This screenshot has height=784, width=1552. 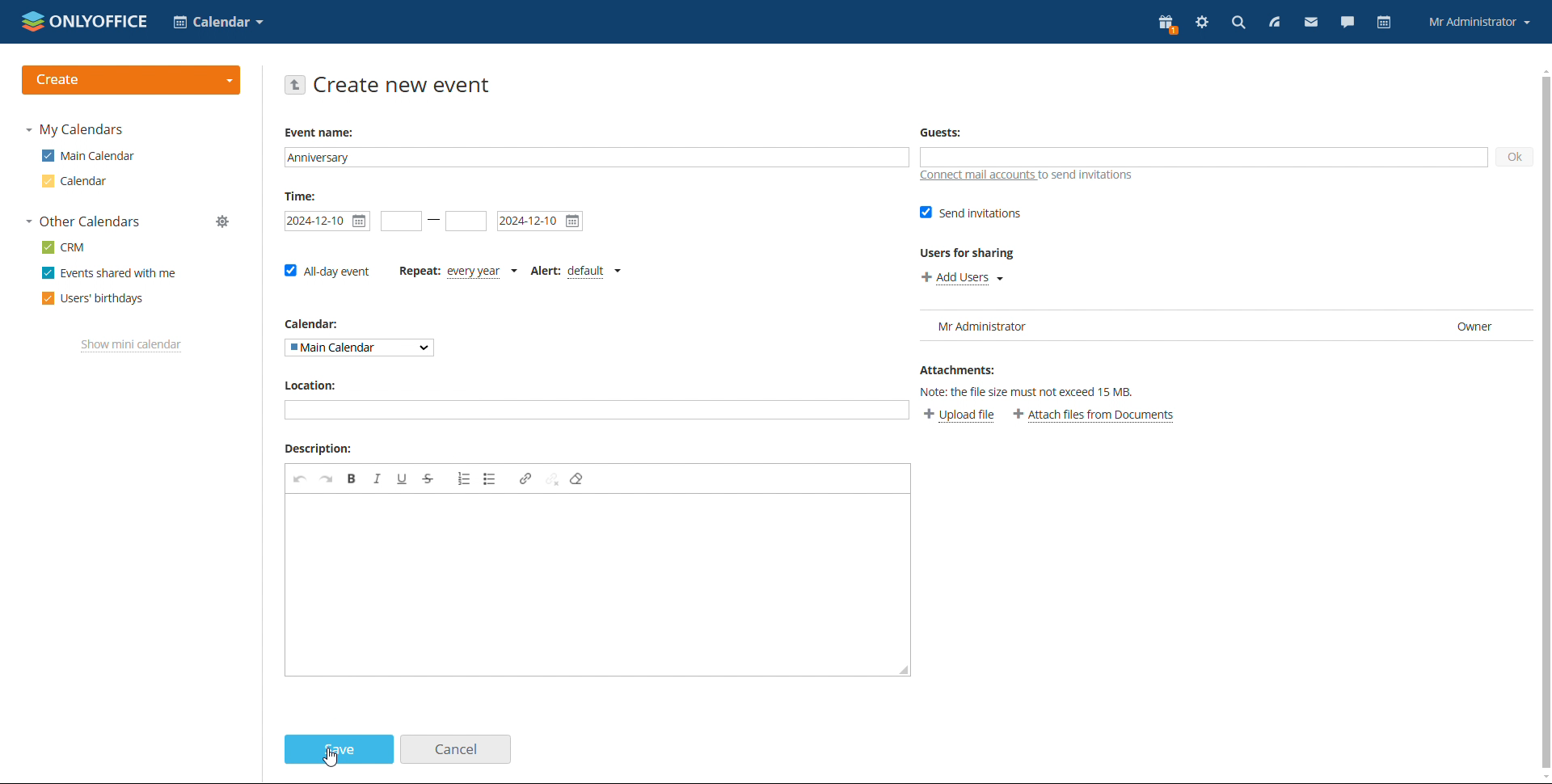 What do you see at coordinates (1027, 389) in the screenshot?
I see `` at bounding box center [1027, 389].